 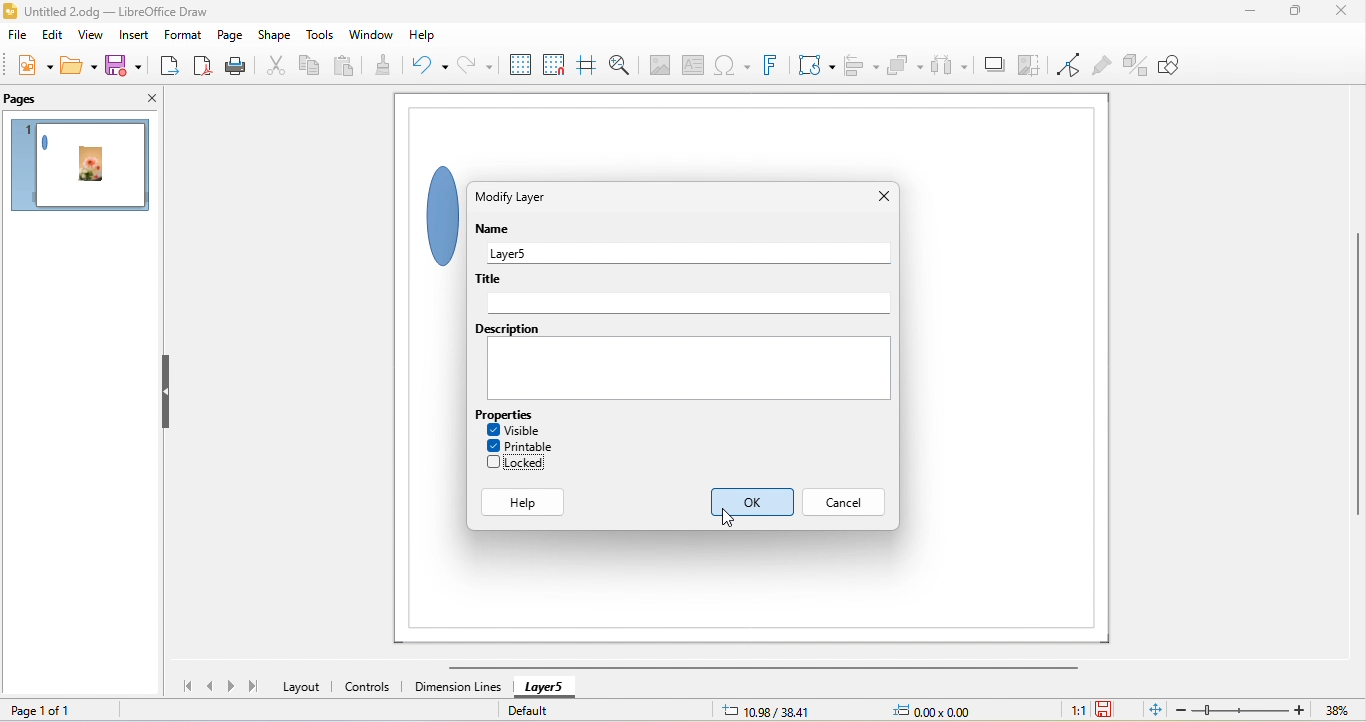 What do you see at coordinates (903, 64) in the screenshot?
I see `arrange` at bounding box center [903, 64].